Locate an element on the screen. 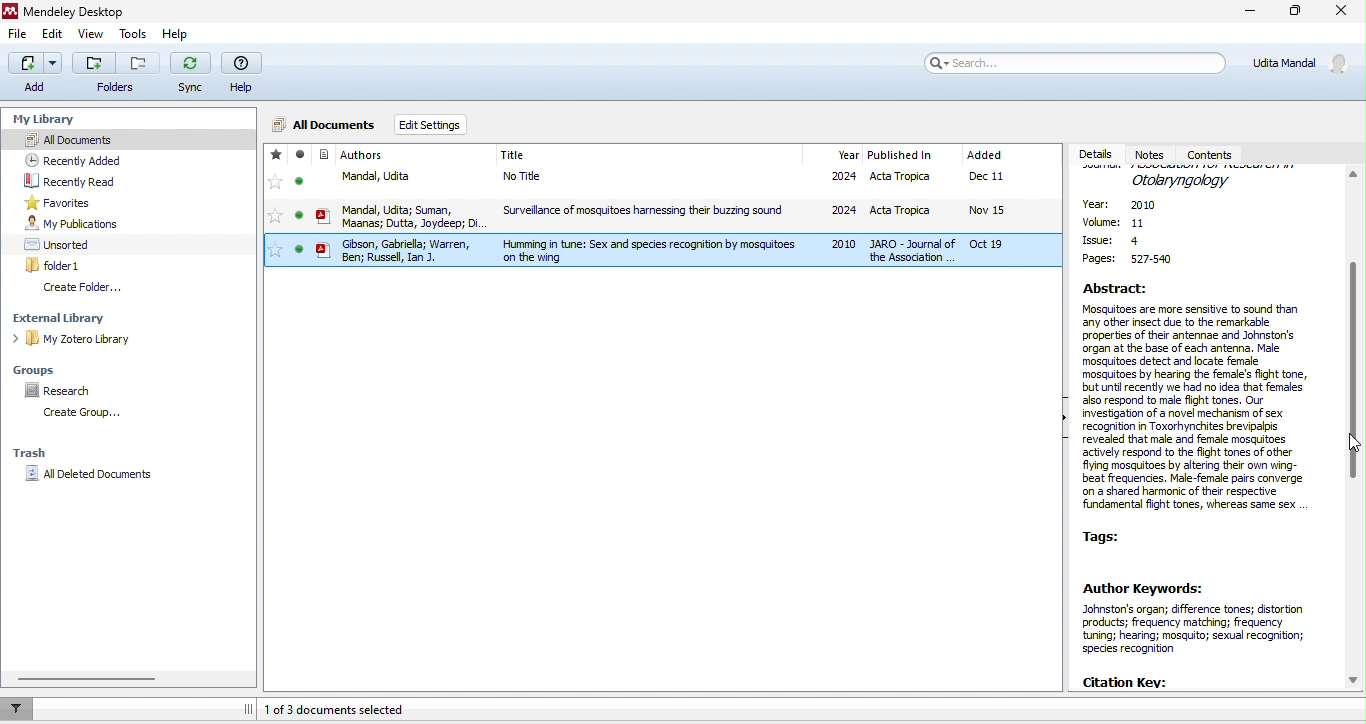  minimize is located at coordinates (1247, 13).